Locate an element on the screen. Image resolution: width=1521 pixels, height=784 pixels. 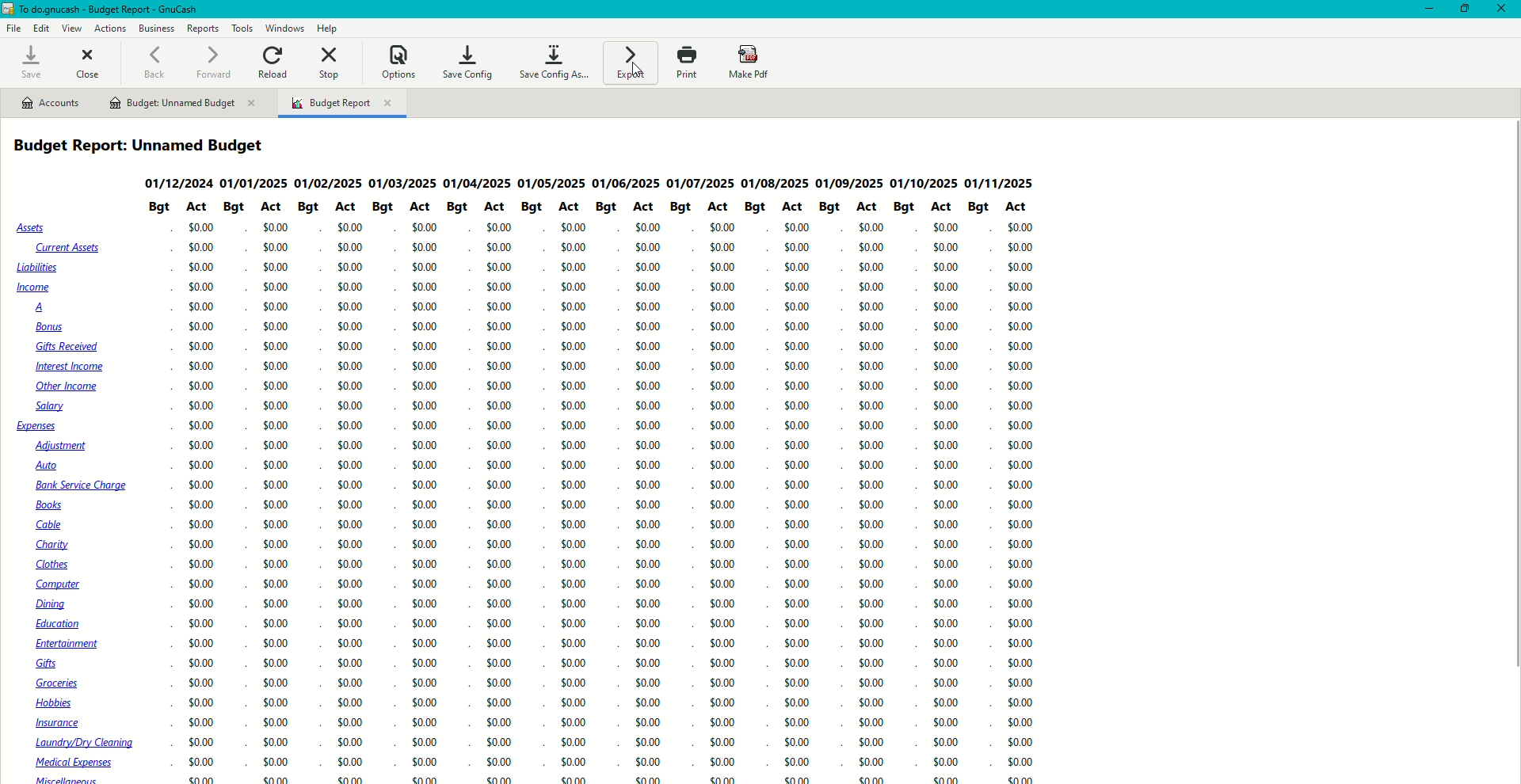
$0.00 is located at coordinates (575, 682).